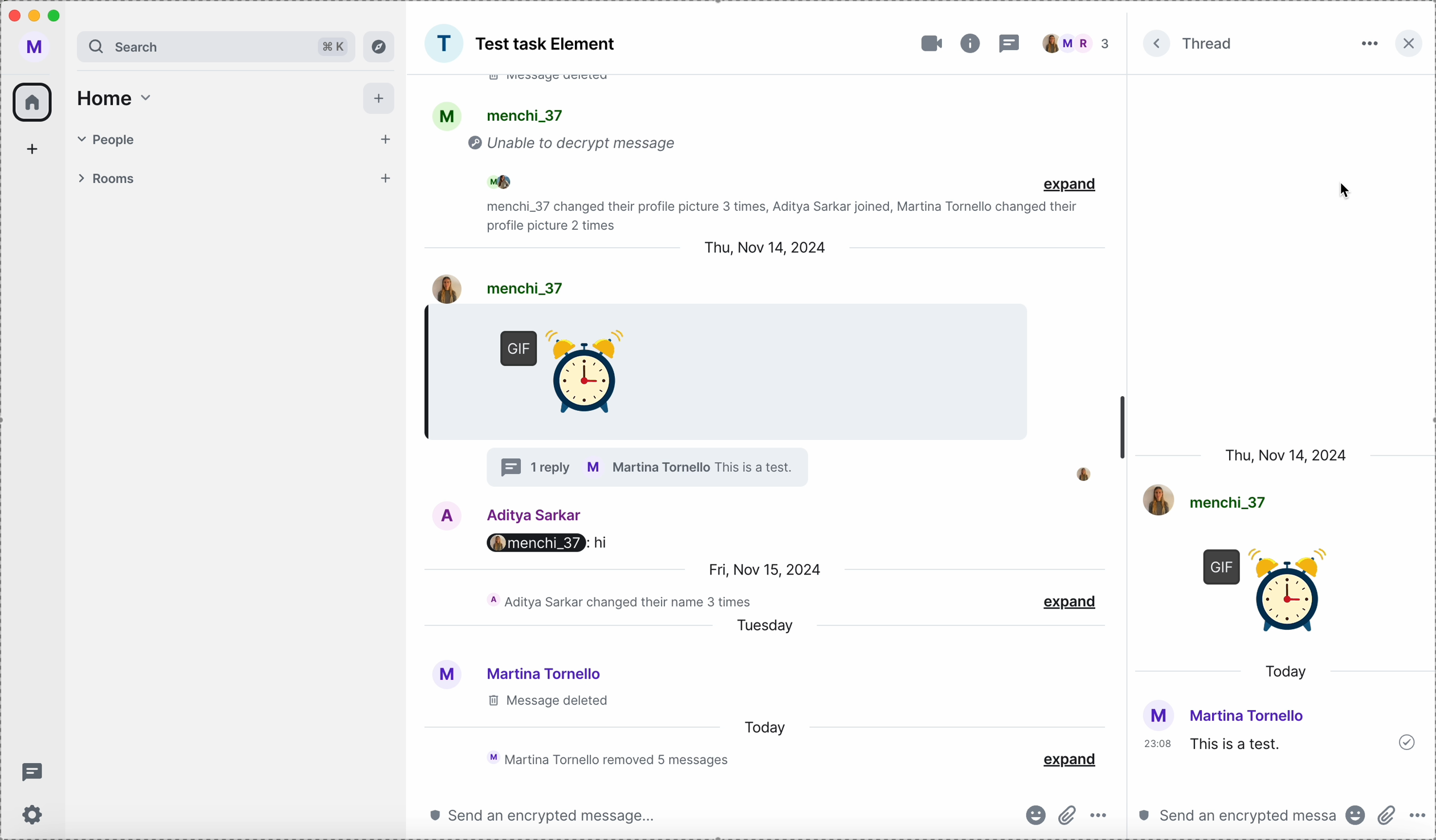 This screenshot has height=840, width=1436. Describe the element at coordinates (1158, 45) in the screenshot. I see `expand` at that location.